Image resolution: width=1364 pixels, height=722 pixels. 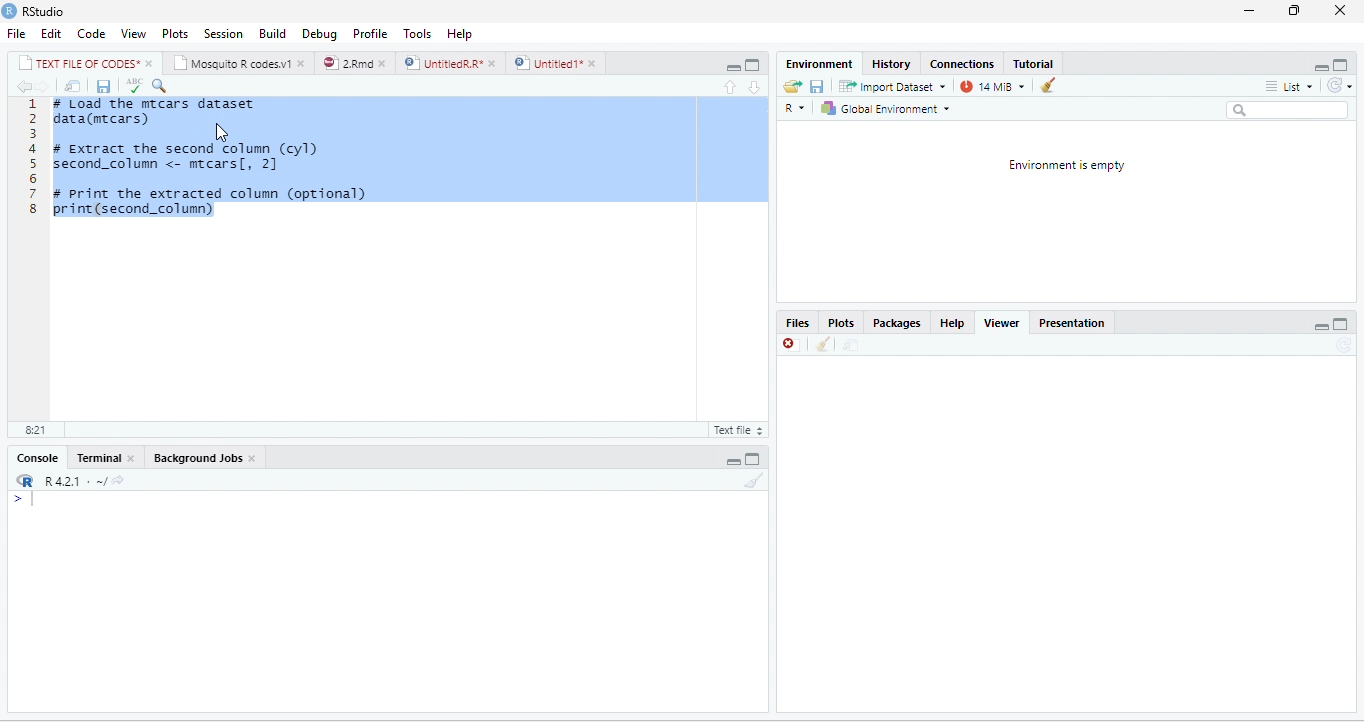 I want to click on list, so click(x=1291, y=87).